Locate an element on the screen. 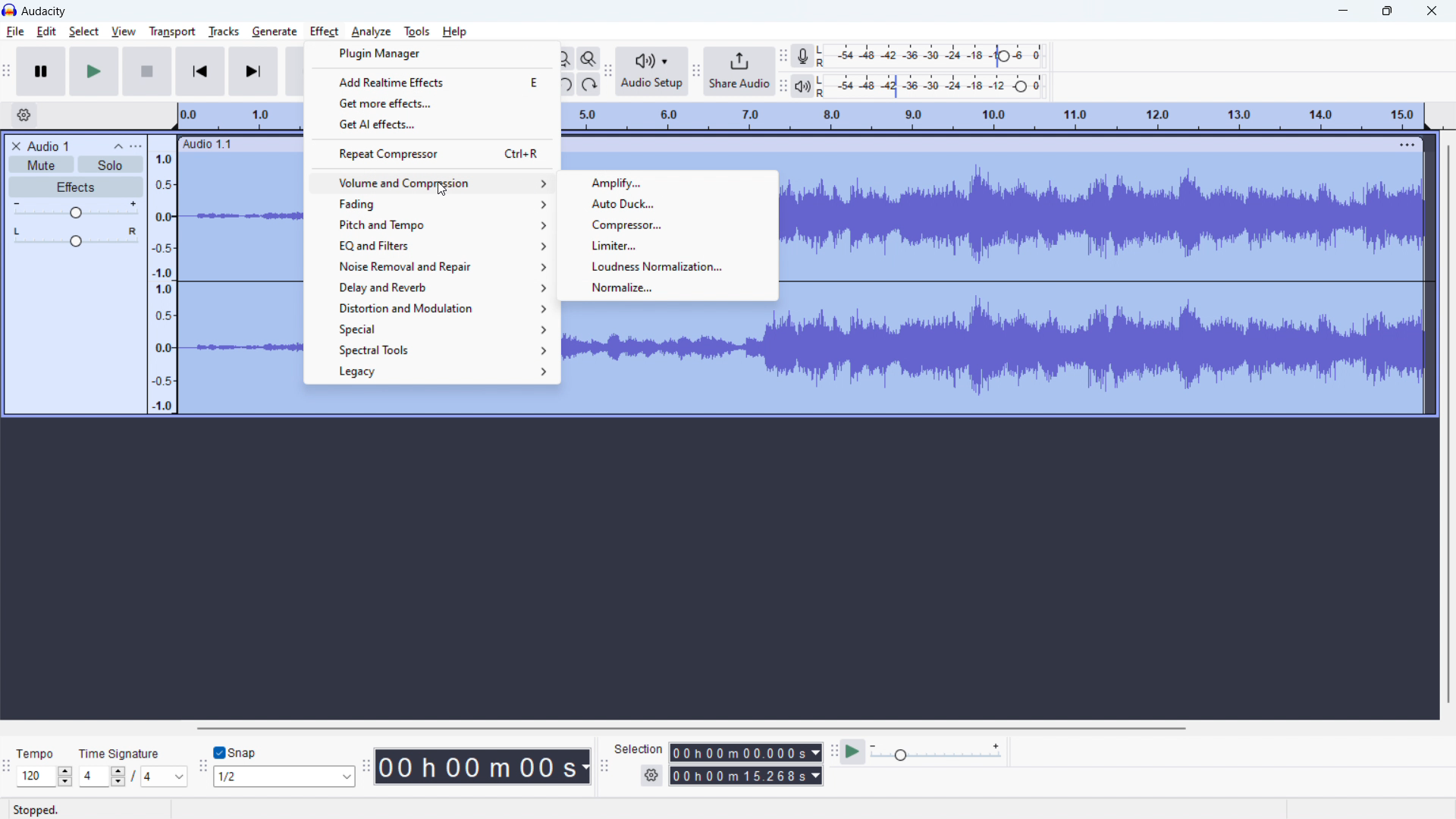 This screenshot has width=1456, height=819. tracks is located at coordinates (223, 32).